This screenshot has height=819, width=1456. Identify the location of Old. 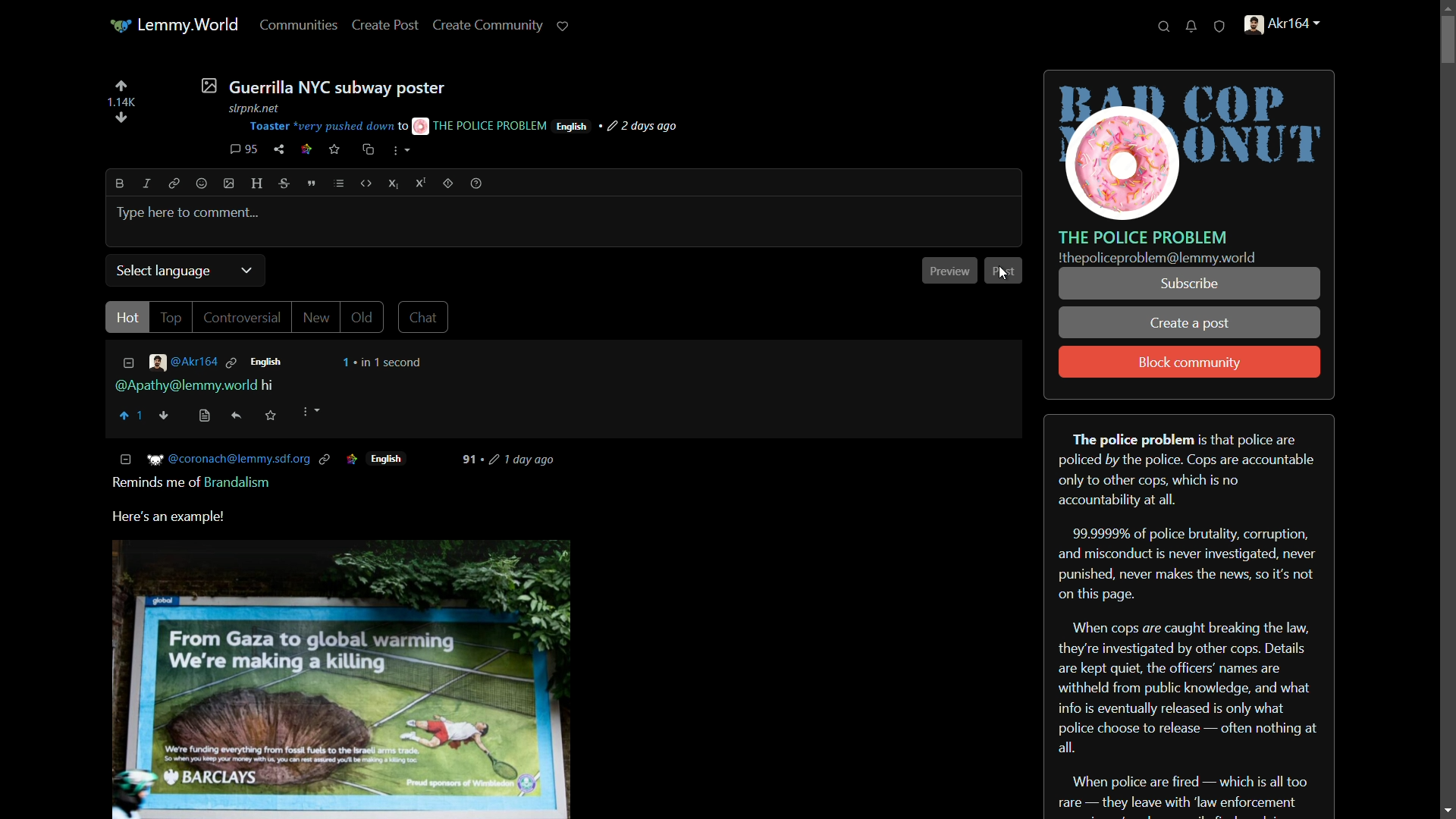
(362, 318).